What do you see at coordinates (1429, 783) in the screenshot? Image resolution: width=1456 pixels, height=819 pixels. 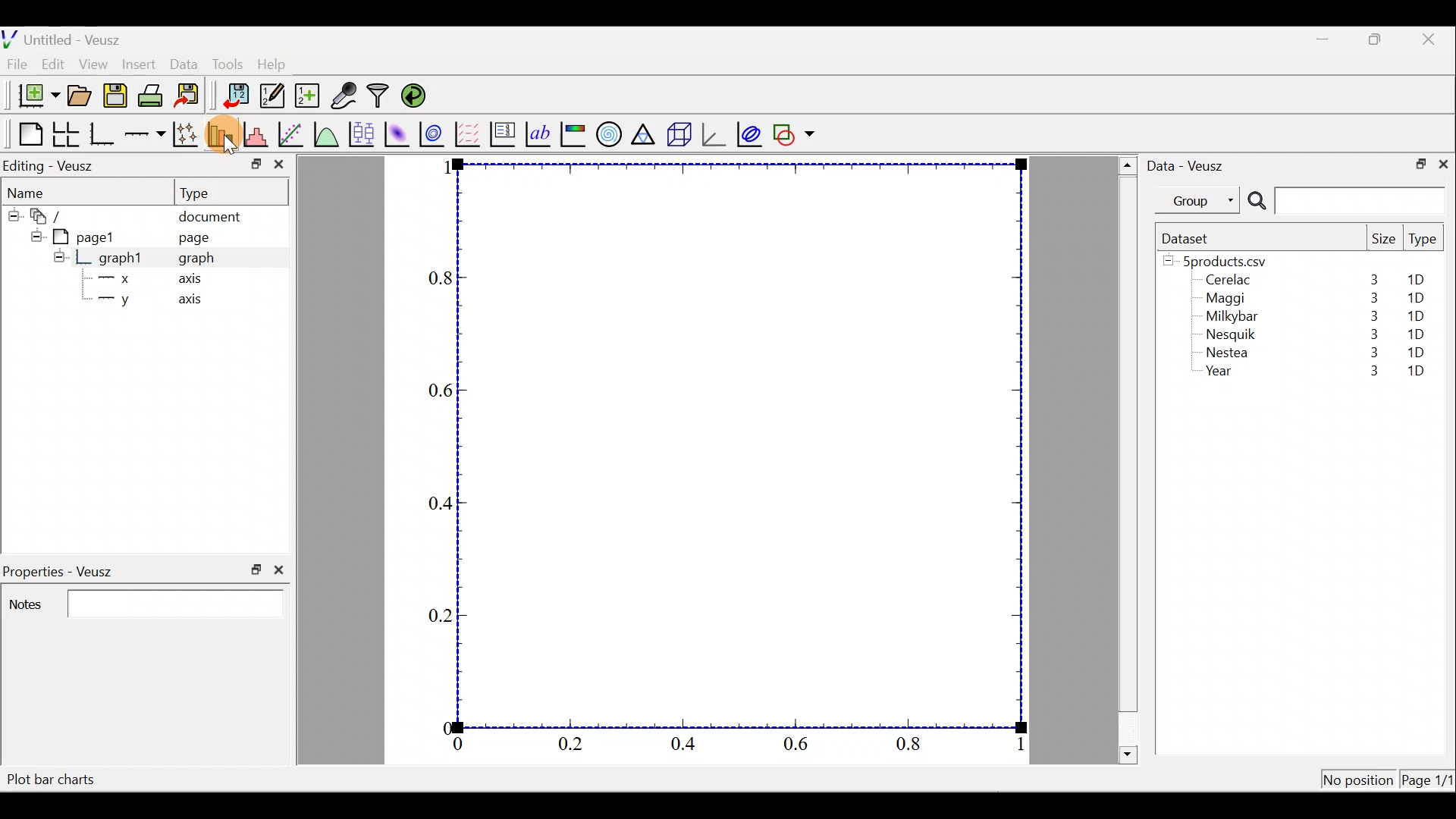 I see `Page 1/11` at bounding box center [1429, 783].